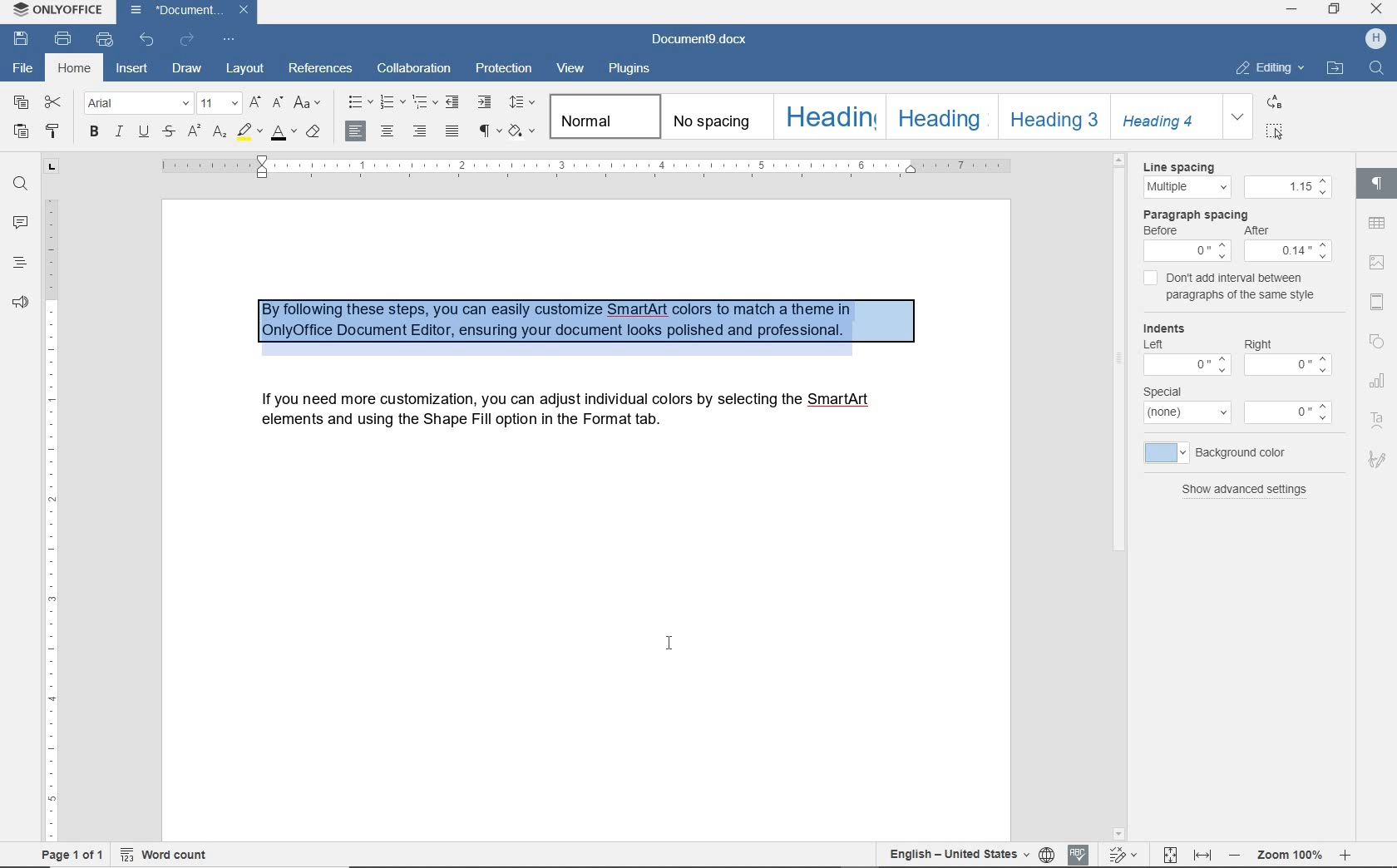  What do you see at coordinates (133, 69) in the screenshot?
I see `insert` at bounding box center [133, 69].